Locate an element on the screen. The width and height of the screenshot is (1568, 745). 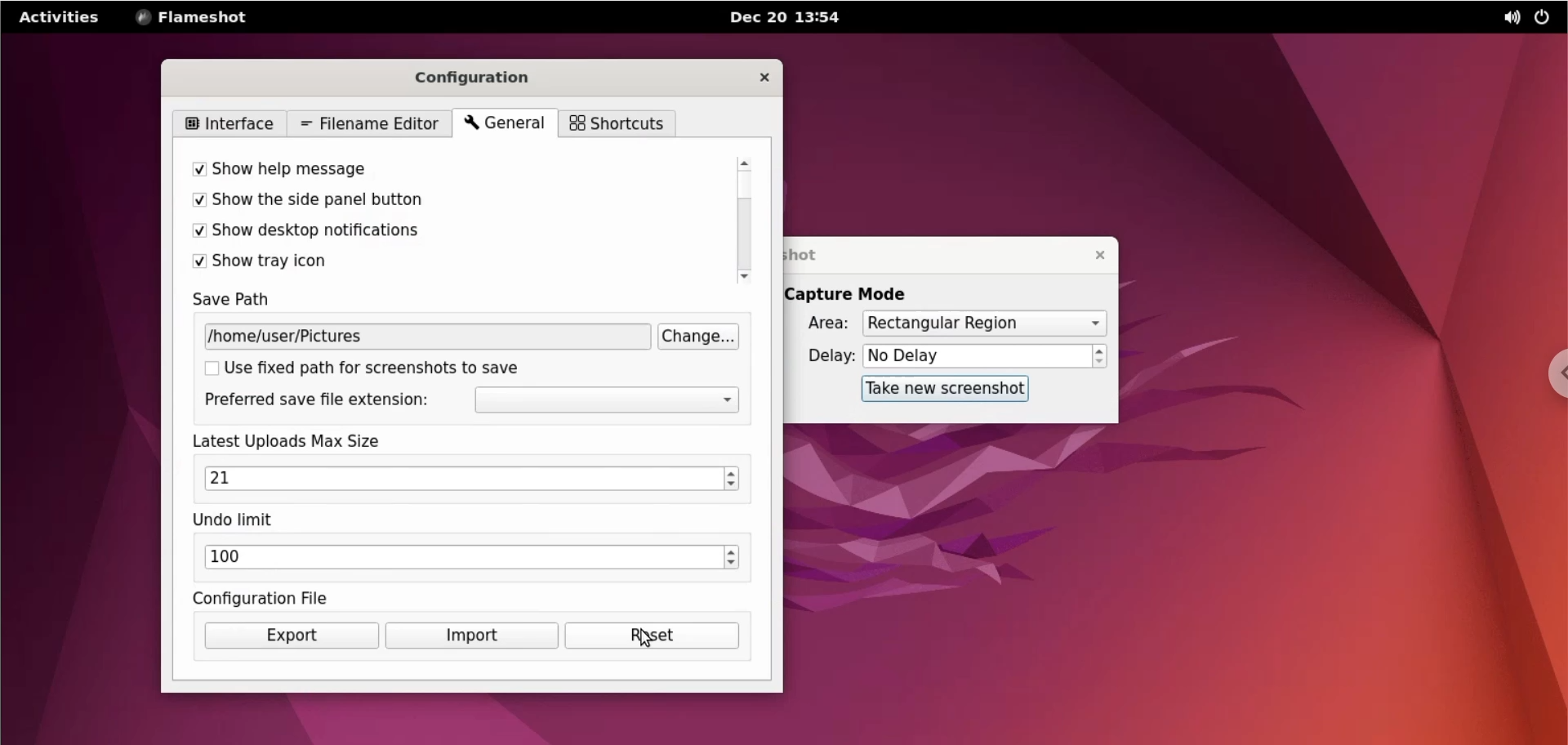
chrome options is located at coordinates (1553, 372).